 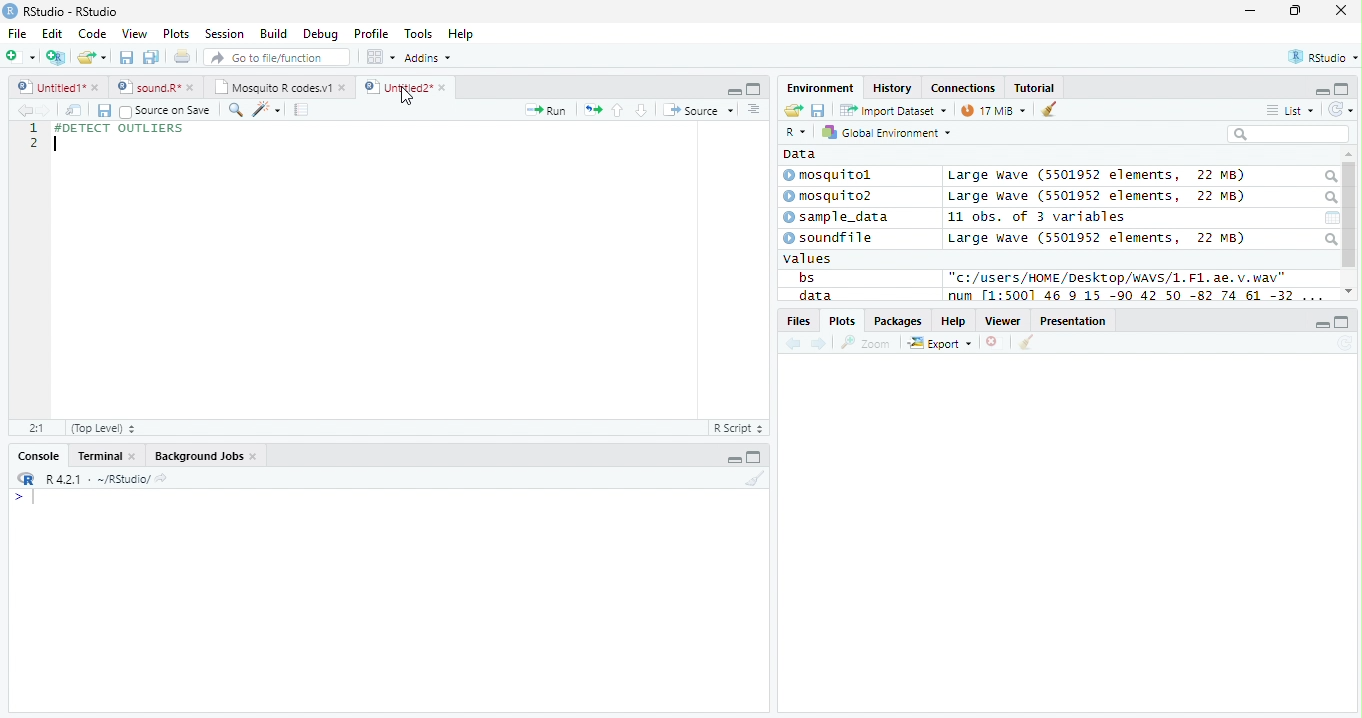 What do you see at coordinates (21, 57) in the screenshot?
I see `new file` at bounding box center [21, 57].